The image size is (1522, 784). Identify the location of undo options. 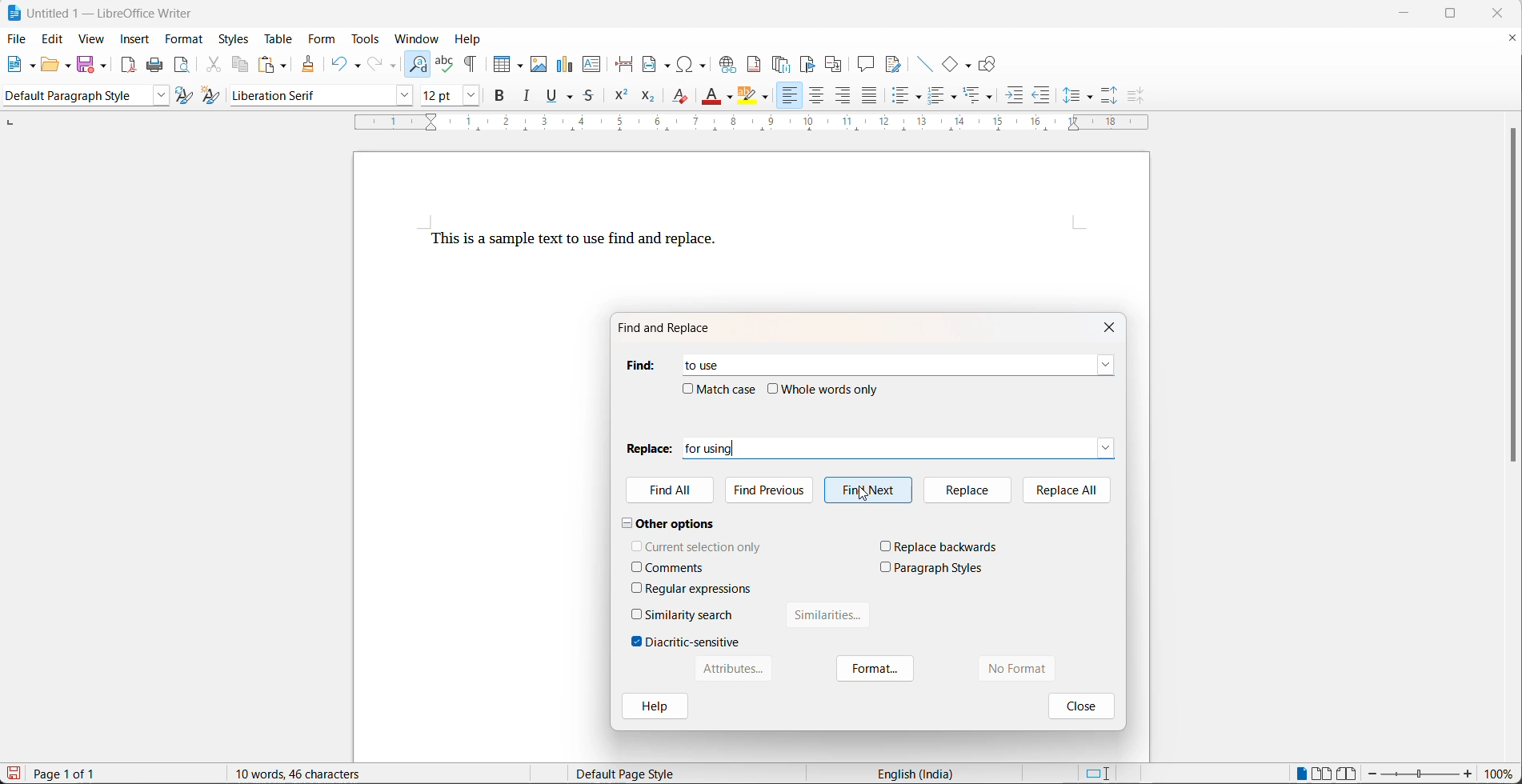
(356, 64).